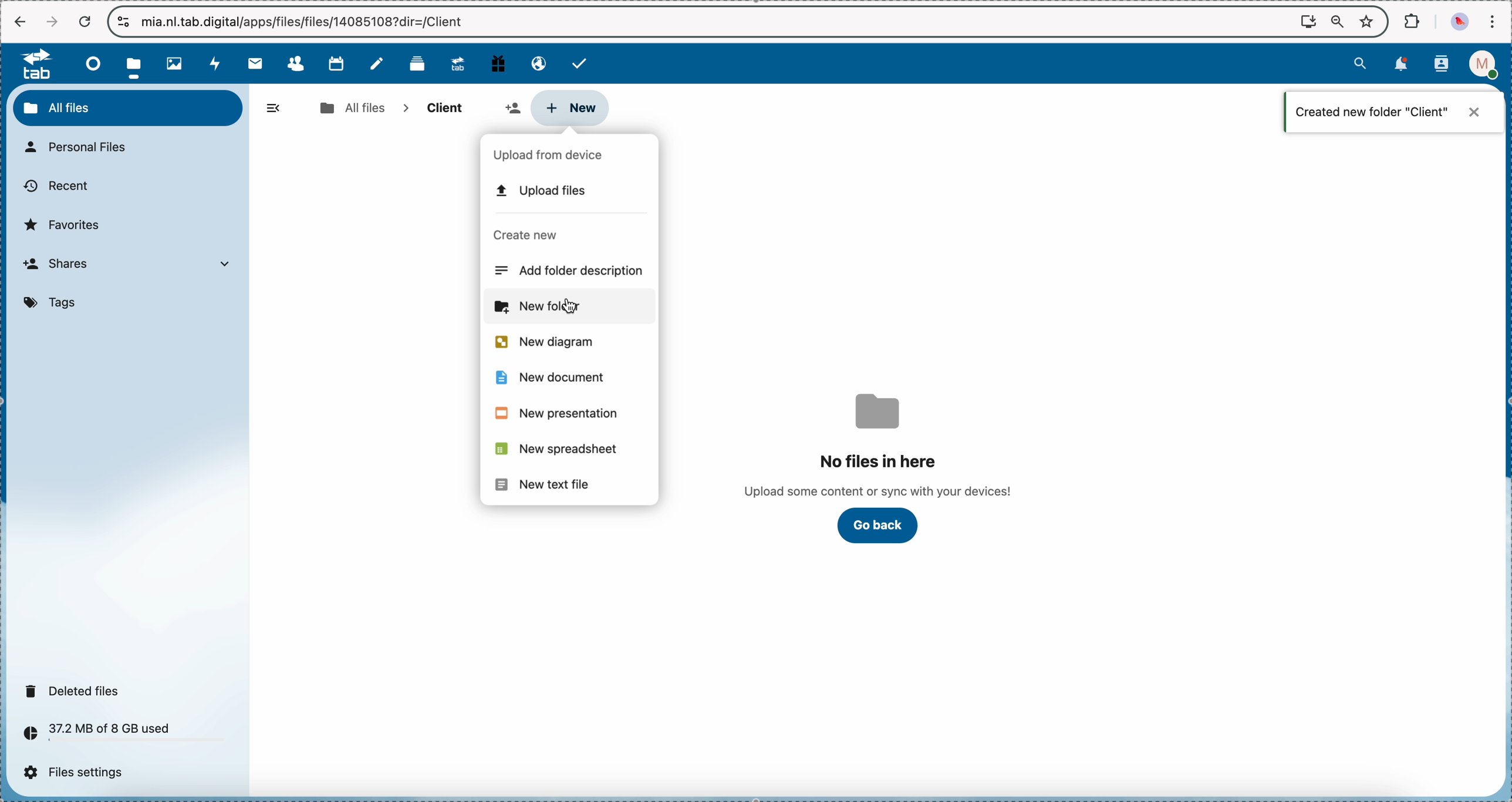 The width and height of the screenshot is (1512, 802). Describe the element at coordinates (1369, 21) in the screenshot. I see `favorites` at that location.